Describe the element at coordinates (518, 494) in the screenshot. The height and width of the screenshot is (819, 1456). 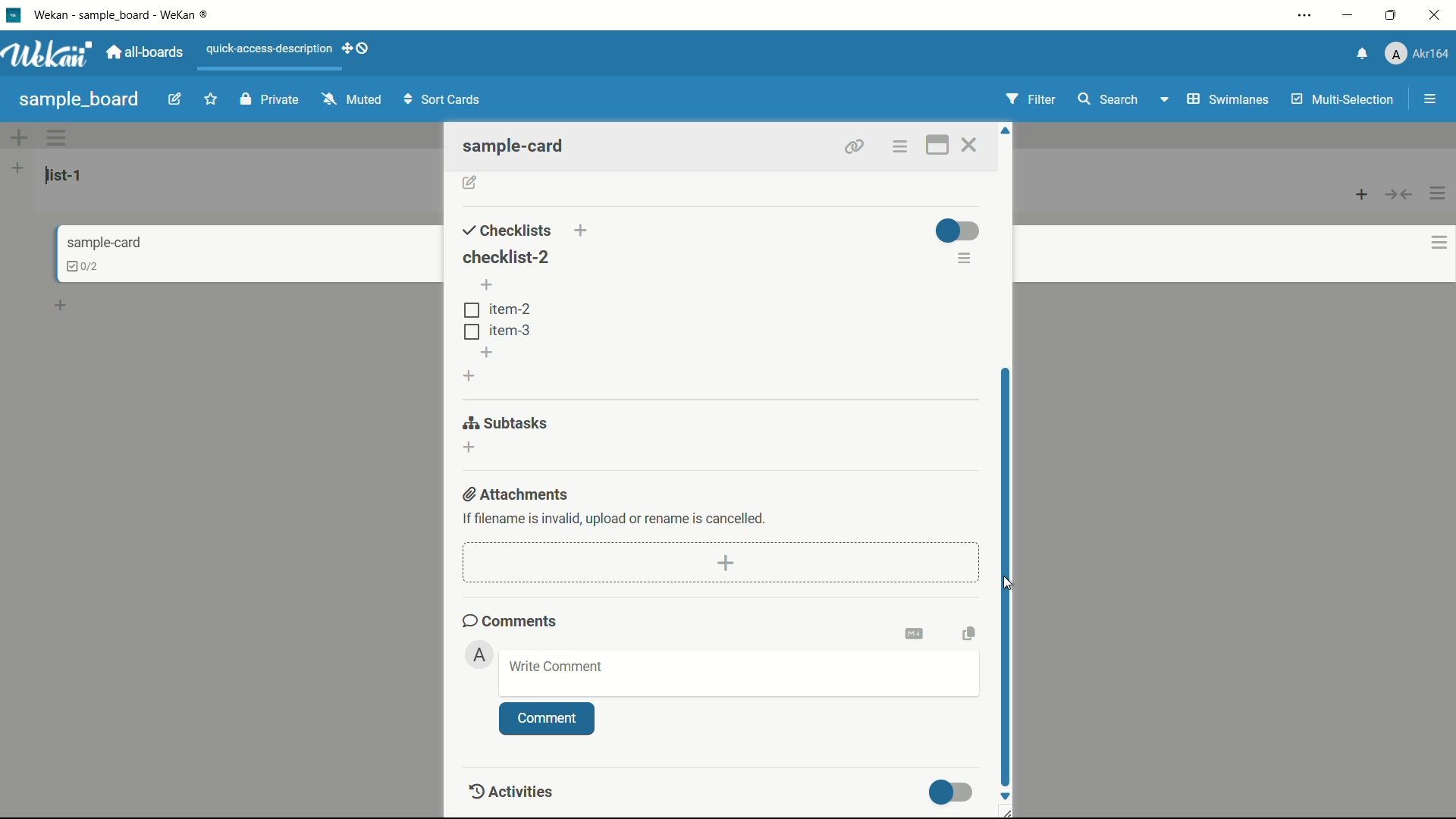
I see `attachments` at that location.